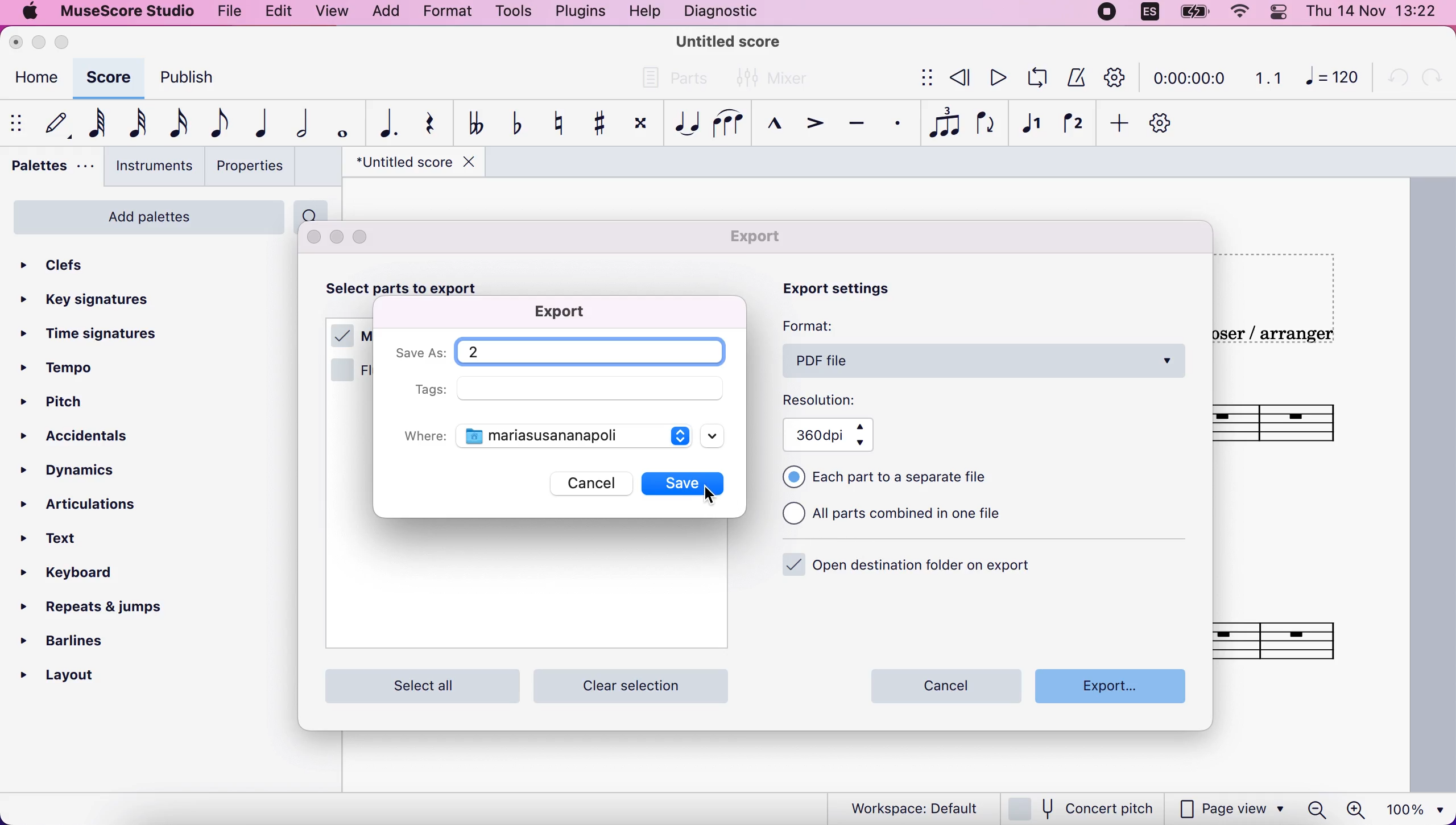 This screenshot has height=825, width=1456. Describe the element at coordinates (192, 76) in the screenshot. I see `publish` at that location.